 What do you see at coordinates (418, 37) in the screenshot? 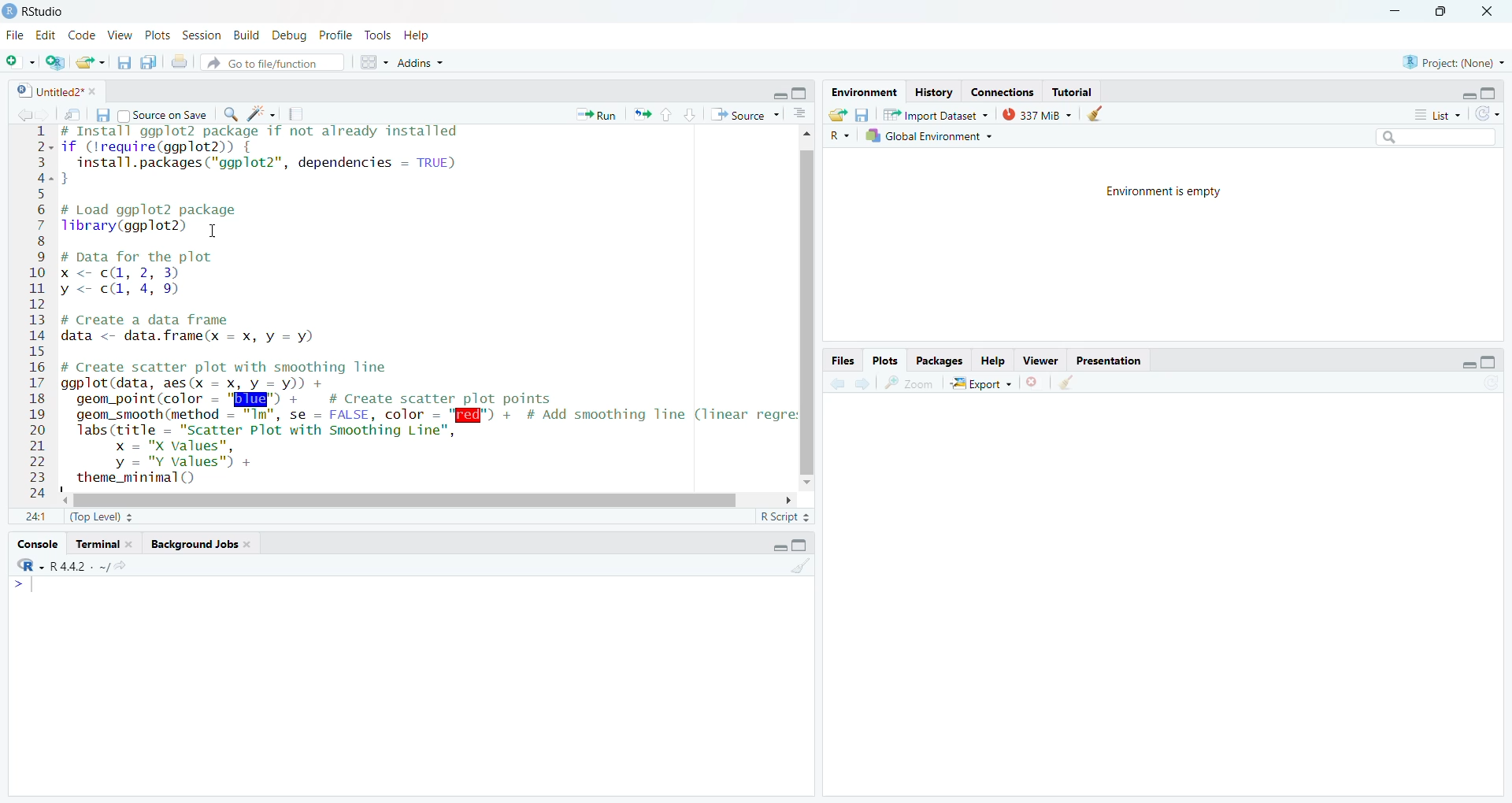
I see `Help` at bounding box center [418, 37].